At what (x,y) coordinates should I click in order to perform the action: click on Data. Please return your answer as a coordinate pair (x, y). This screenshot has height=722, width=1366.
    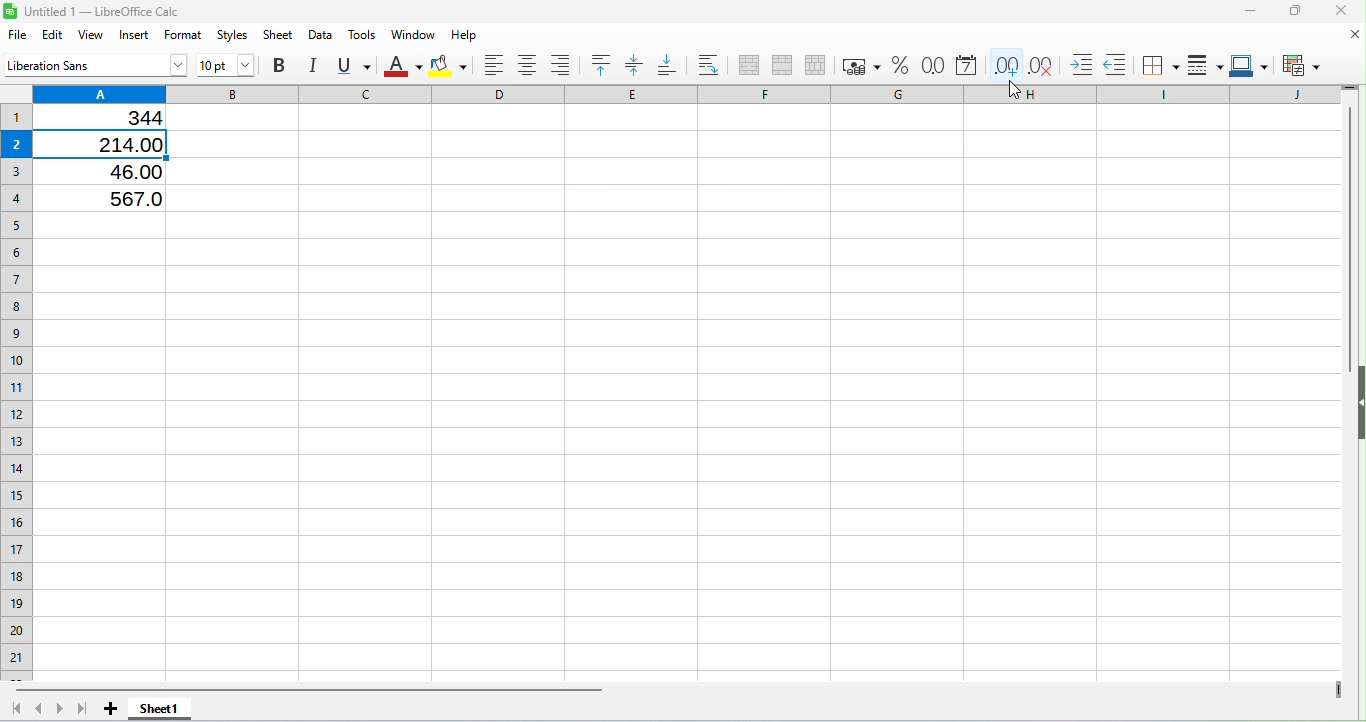
    Looking at the image, I should click on (322, 33).